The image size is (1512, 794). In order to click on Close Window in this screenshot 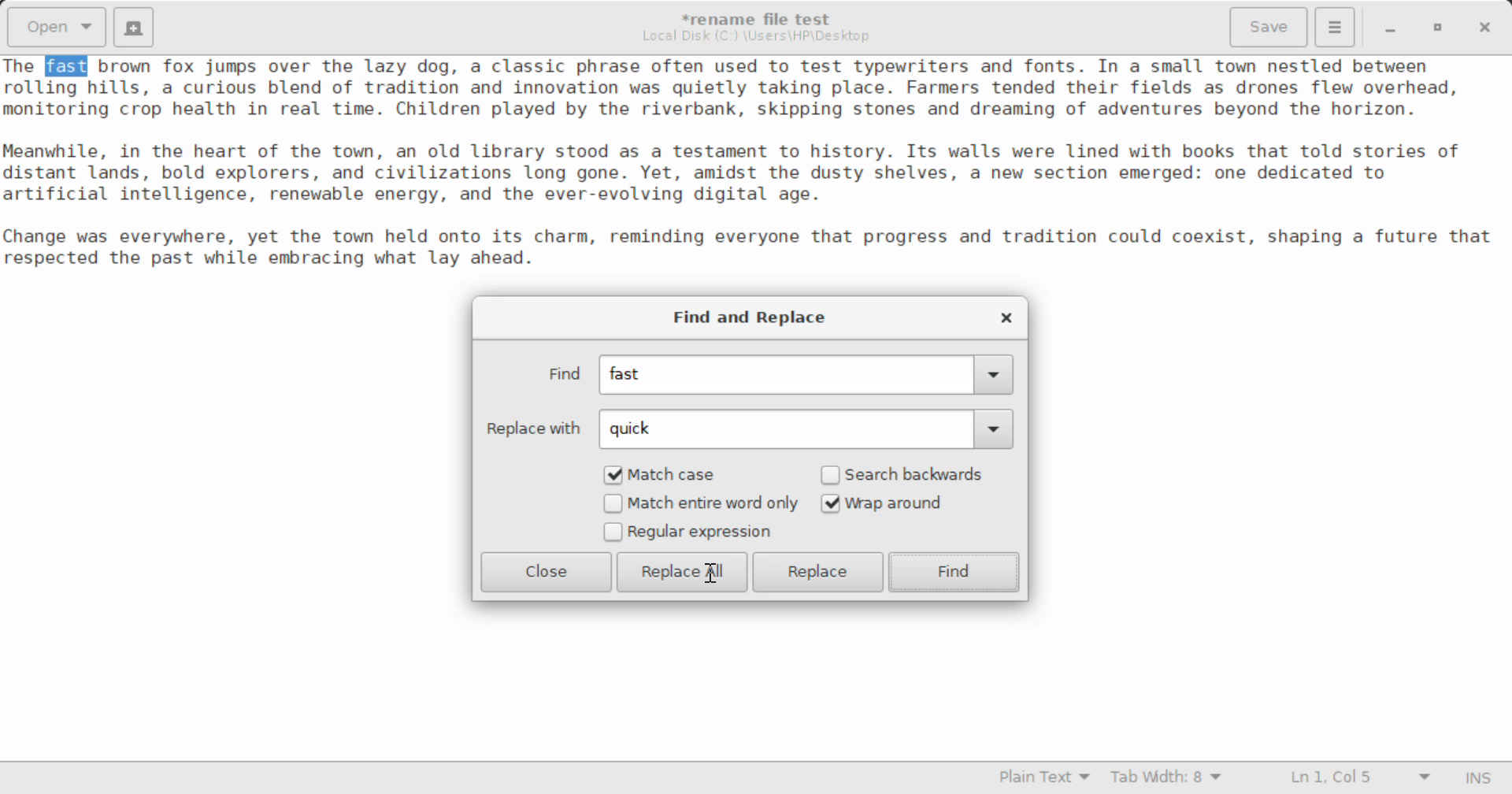, I will do `click(1003, 317)`.